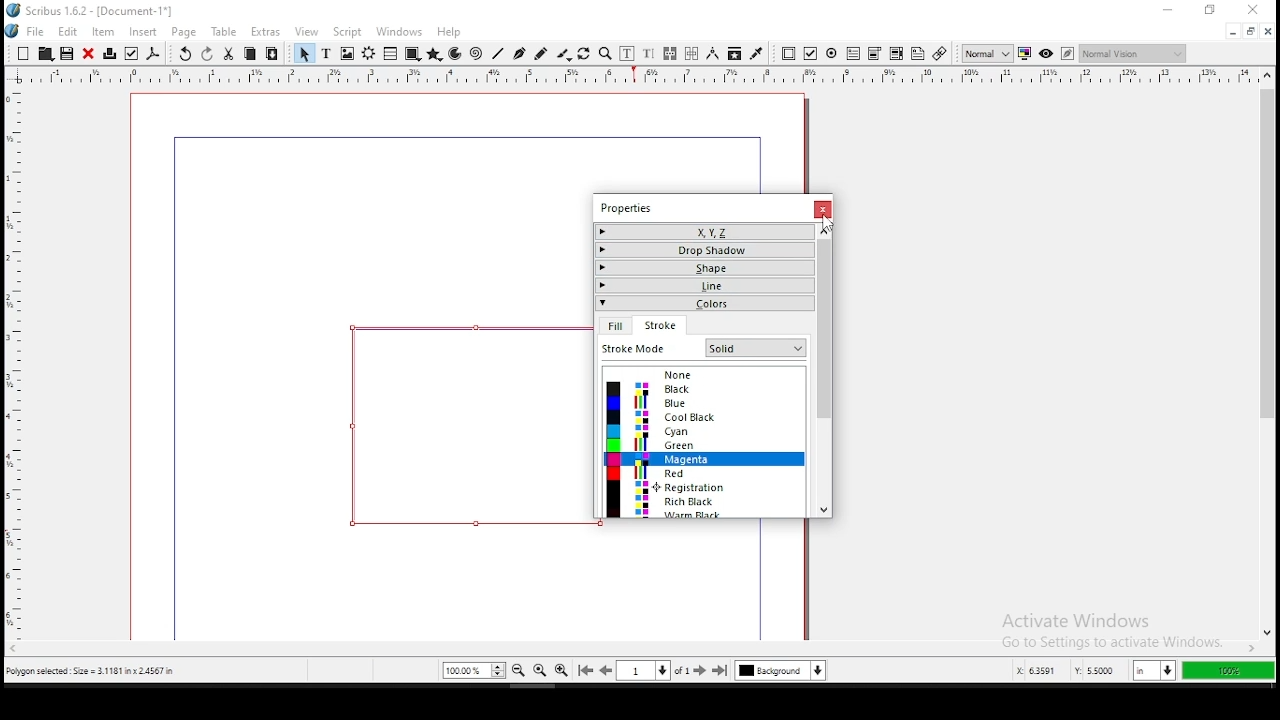 Image resolution: width=1280 pixels, height=720 pixels. Describe the element at coordinates (153, 54) in the screenshot. I see `save as pdf` at that location.